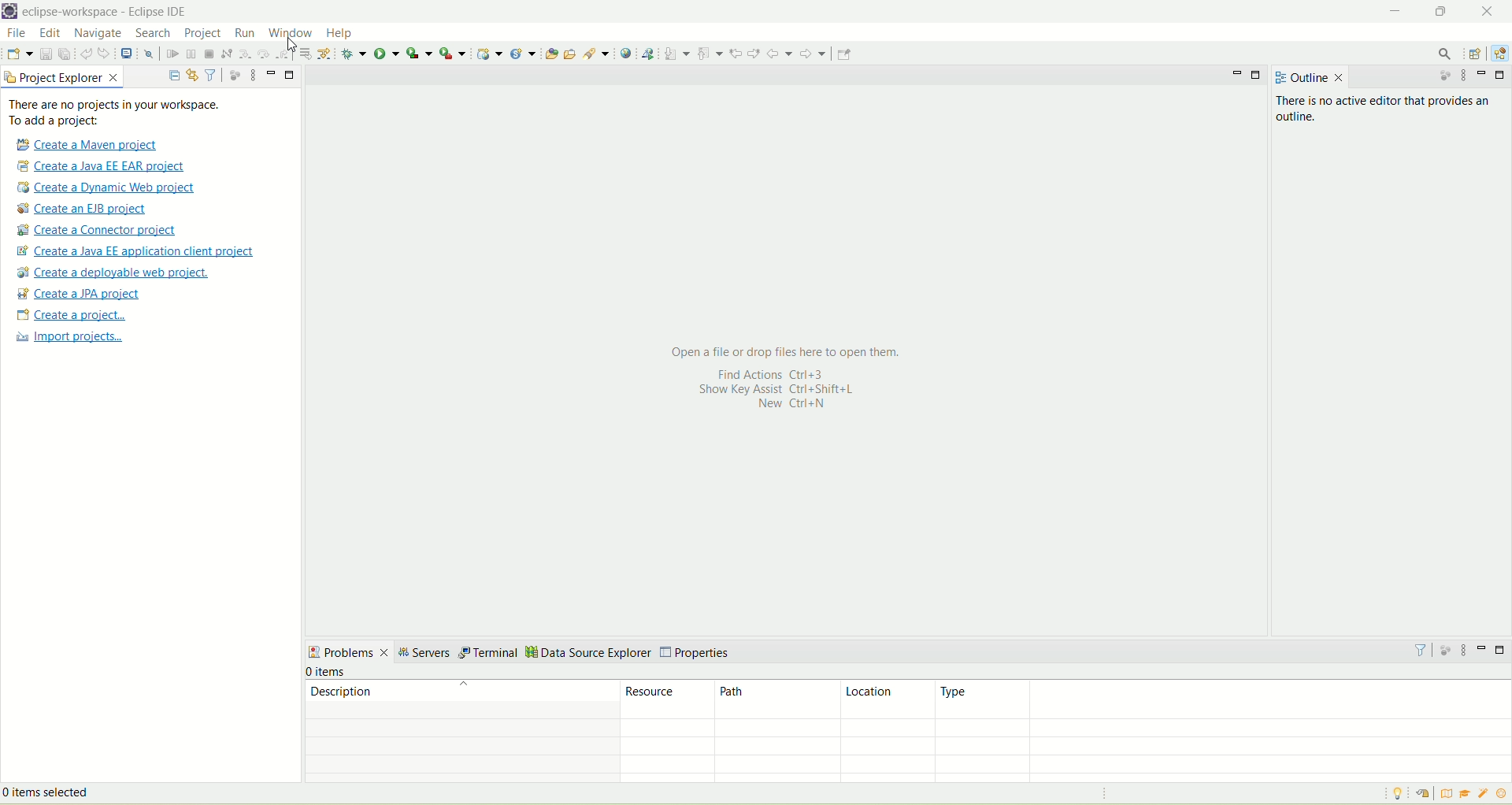  What do you see at coordinates (451, 54) in the screenshot?
I see `run last tool` at bounding box center [451, 54].